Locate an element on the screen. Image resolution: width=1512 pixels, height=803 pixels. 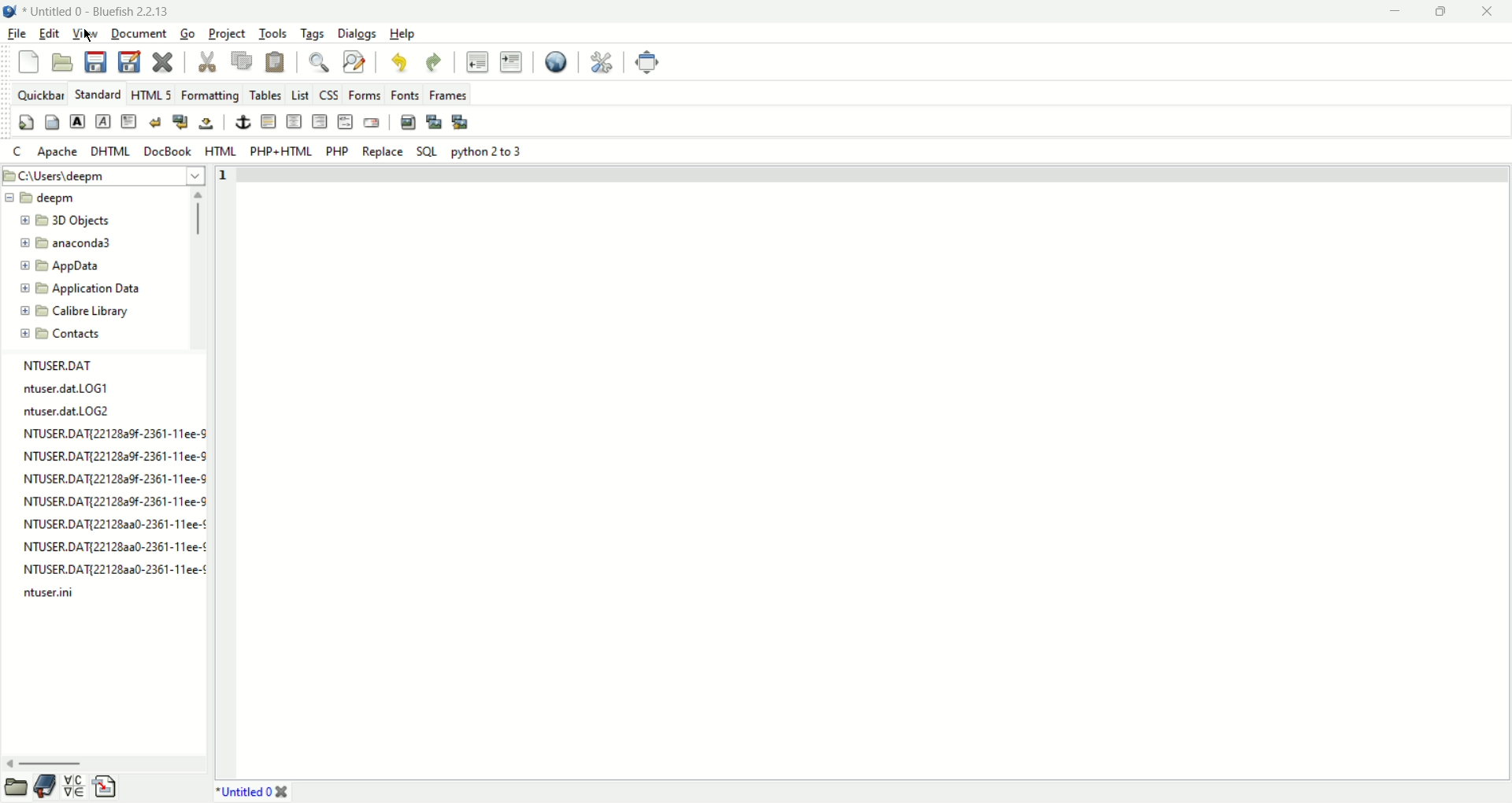
new folder is located at coordinates (72, 220).